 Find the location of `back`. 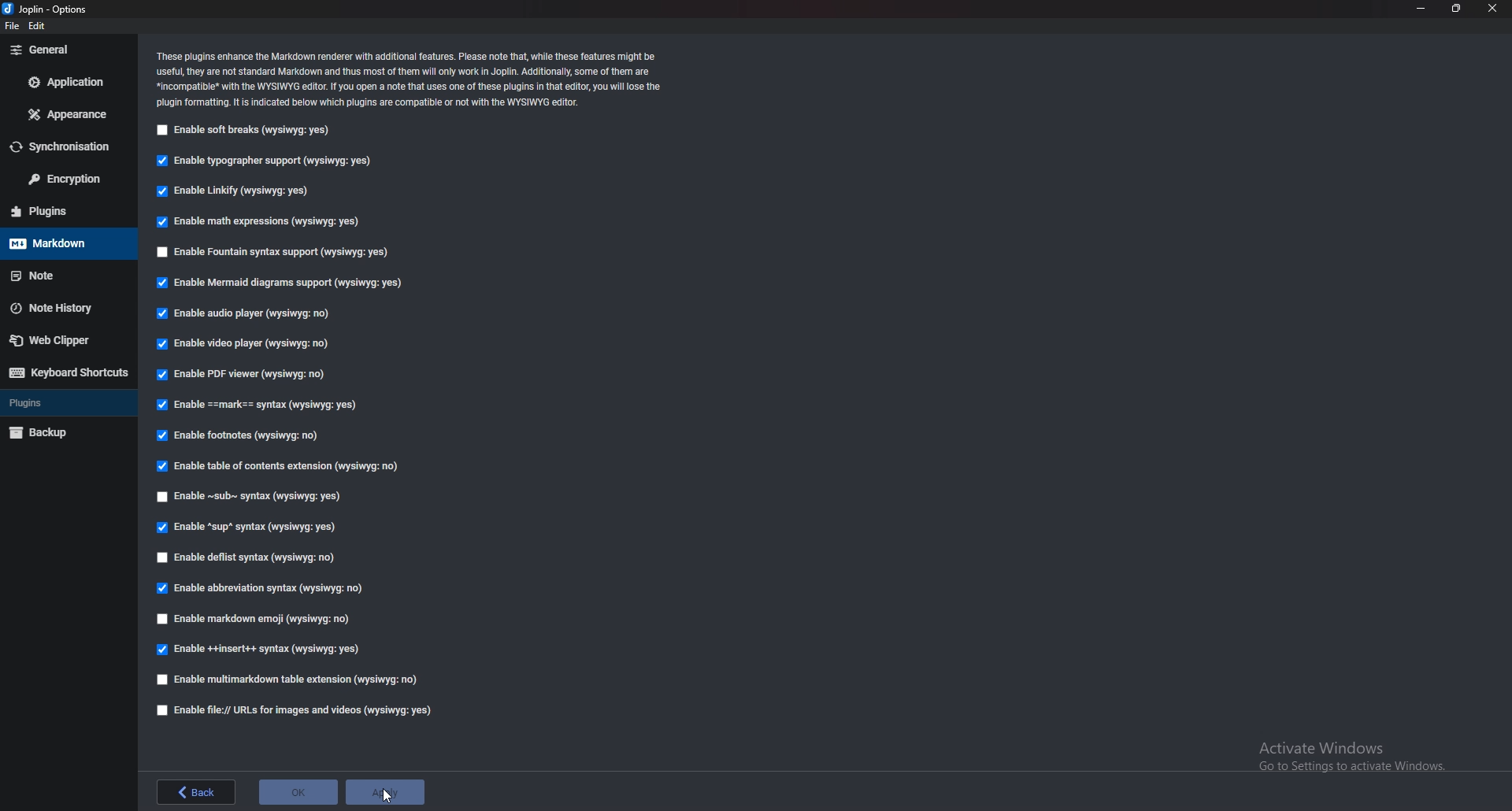

back is located at coordinates (196, 791).